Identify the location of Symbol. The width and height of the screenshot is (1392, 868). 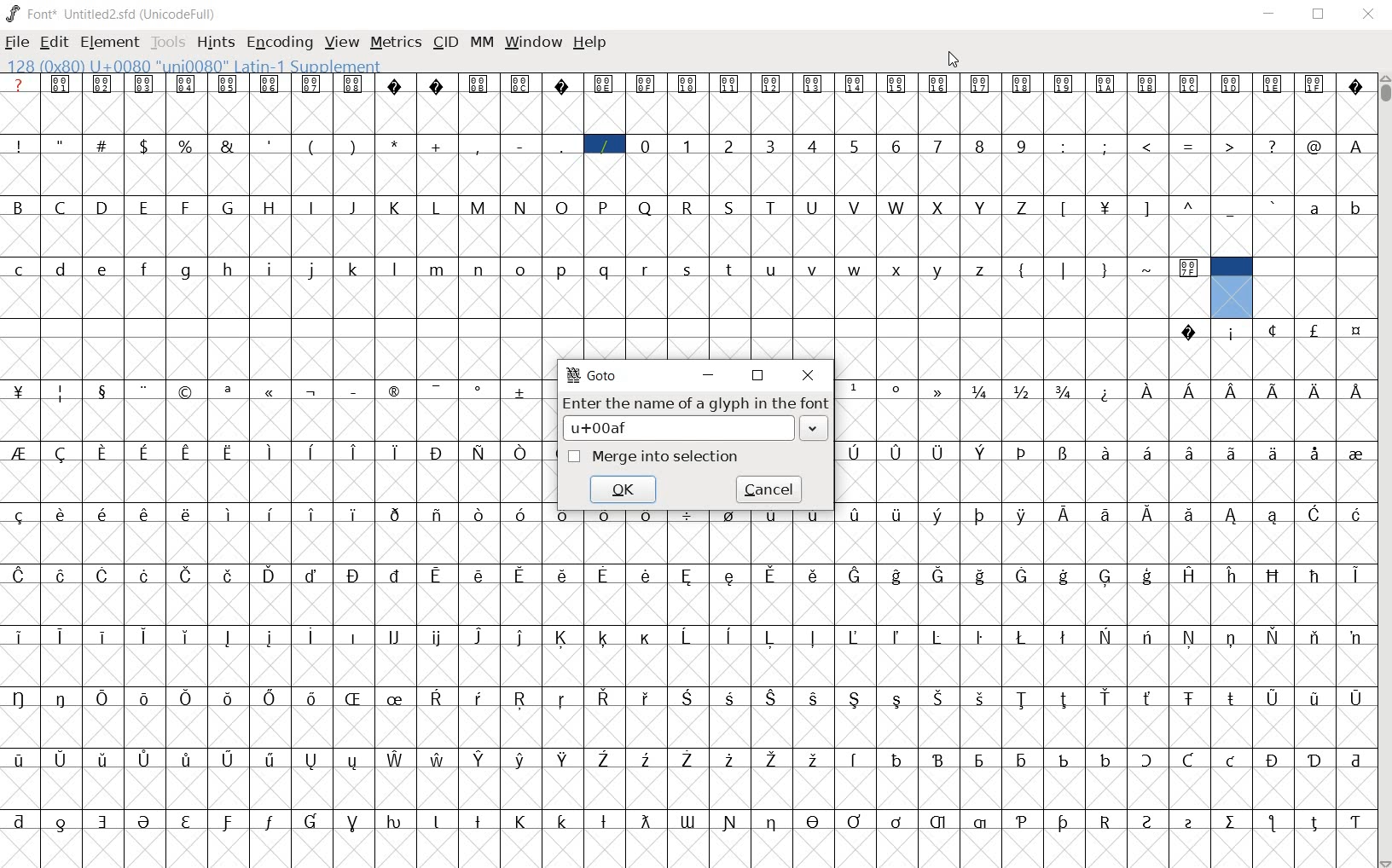
(769, 637).